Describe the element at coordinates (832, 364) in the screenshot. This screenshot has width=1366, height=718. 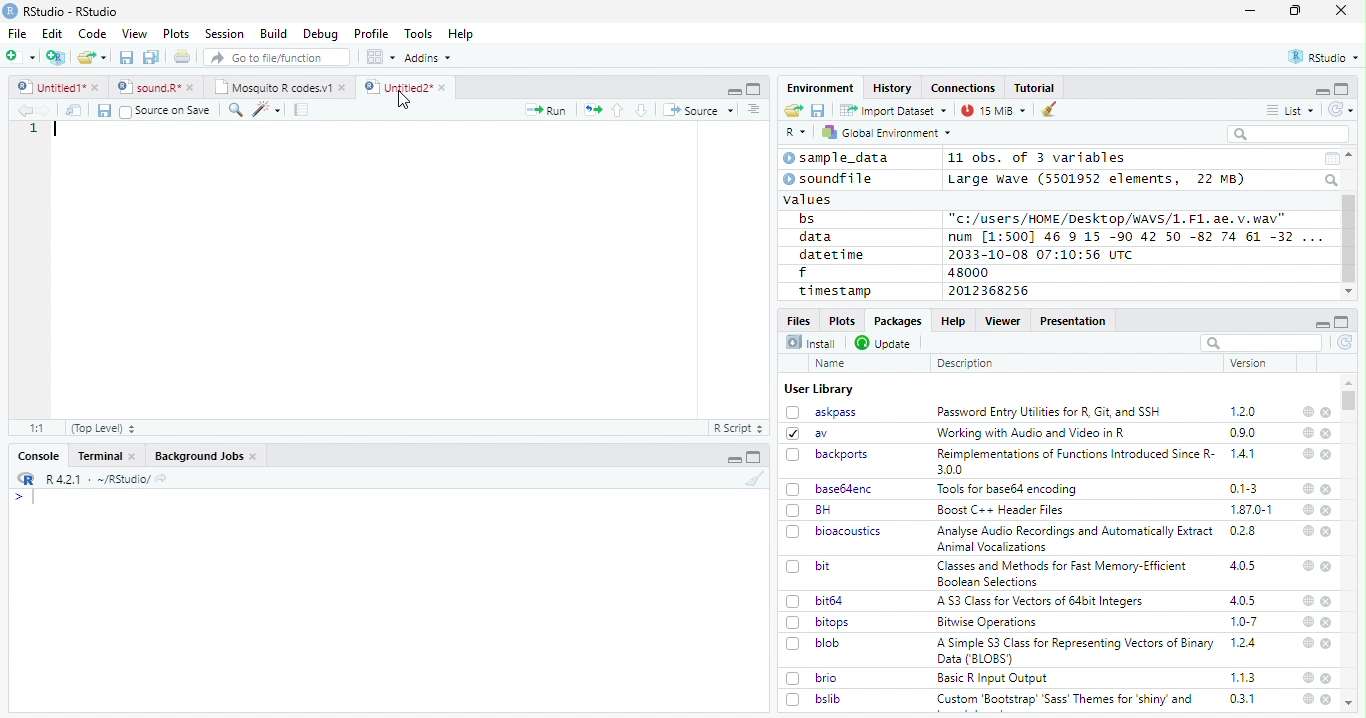
I see `Name` at that location.